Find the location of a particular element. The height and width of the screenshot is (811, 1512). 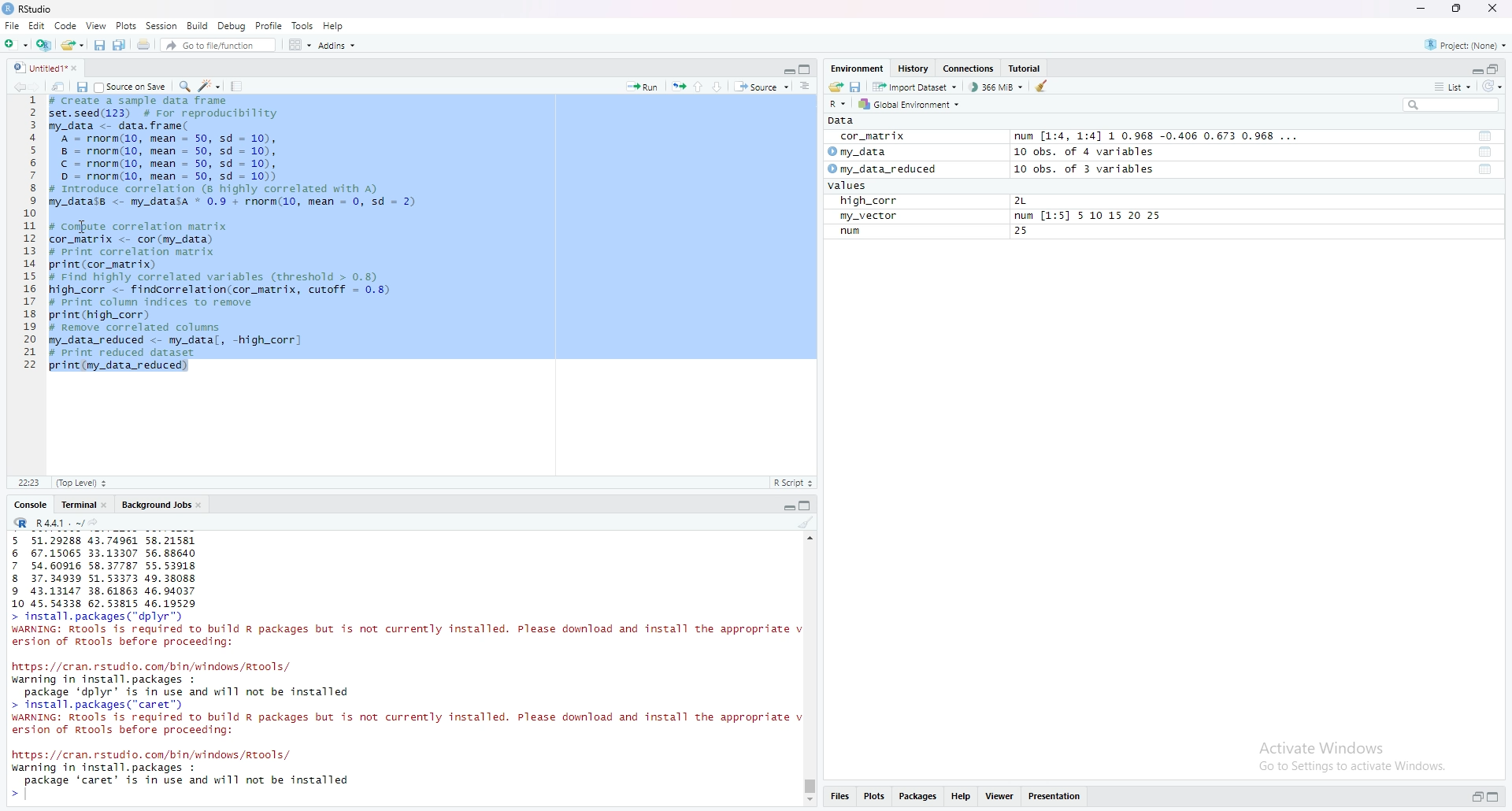

forward is located at coordinates (39, 87).